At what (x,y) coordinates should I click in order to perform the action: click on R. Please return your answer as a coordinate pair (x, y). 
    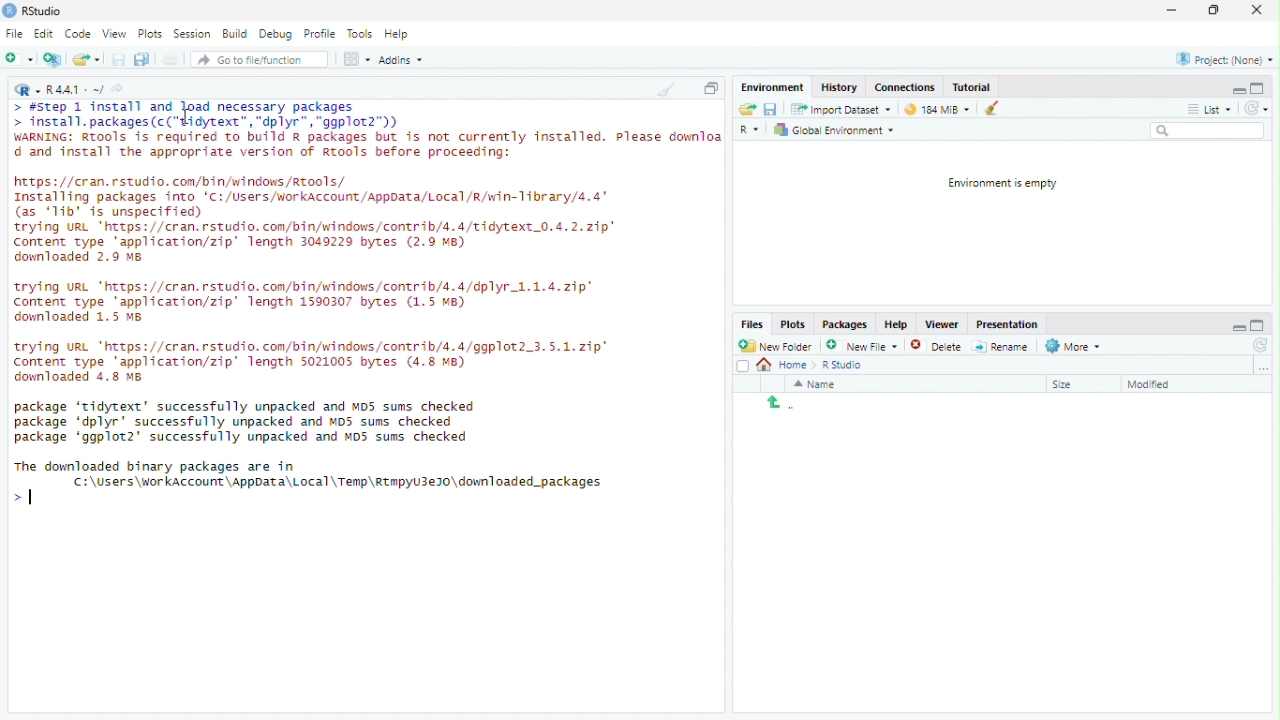
    Looking at the image, I should click on (27, 89).